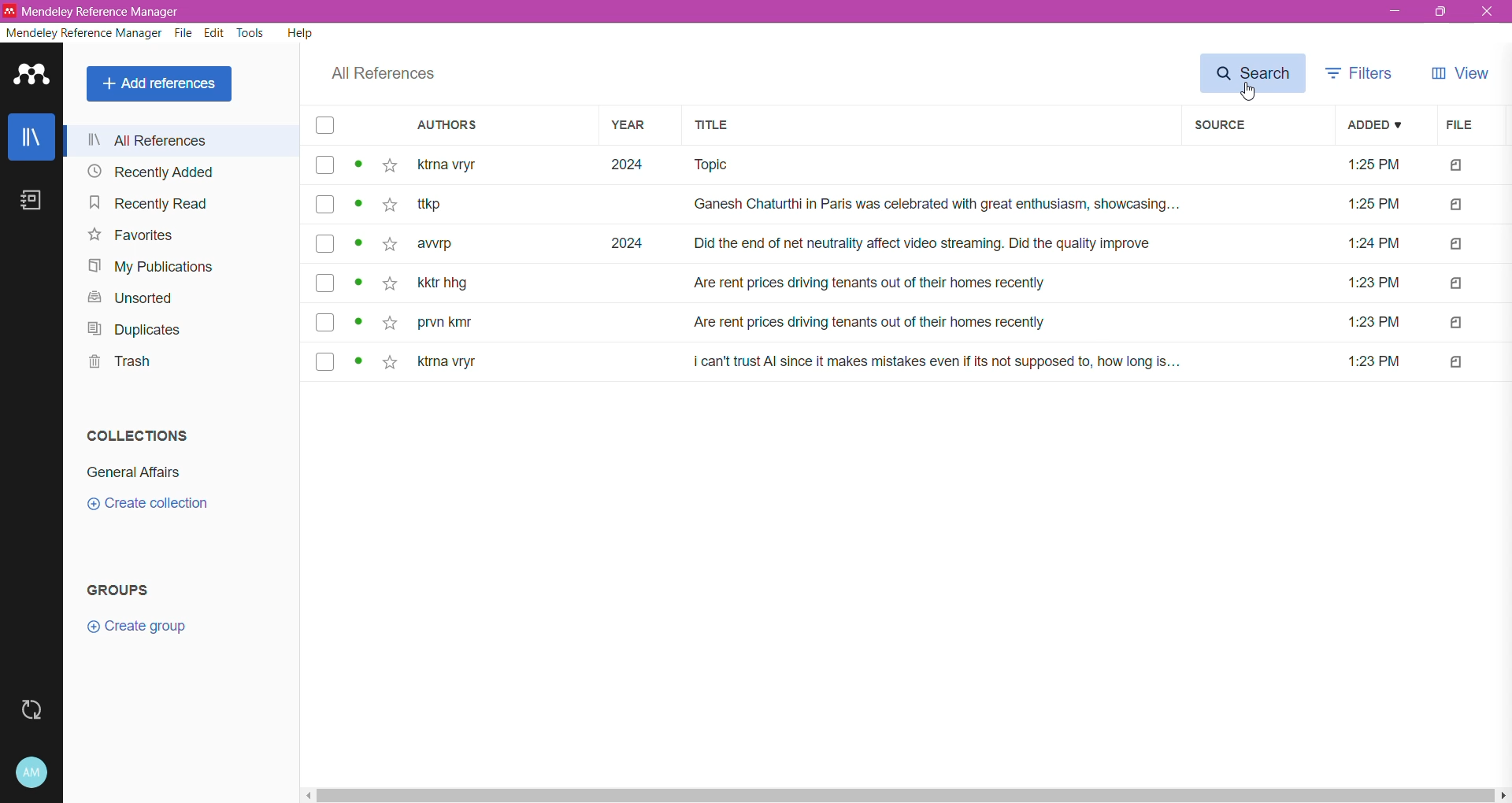 This screenshot has height=803, width=1512. What do you see at coordinates (140, 506) in the screenshot?
I see `Click to Create Collection` at bounding box center [140, 506].